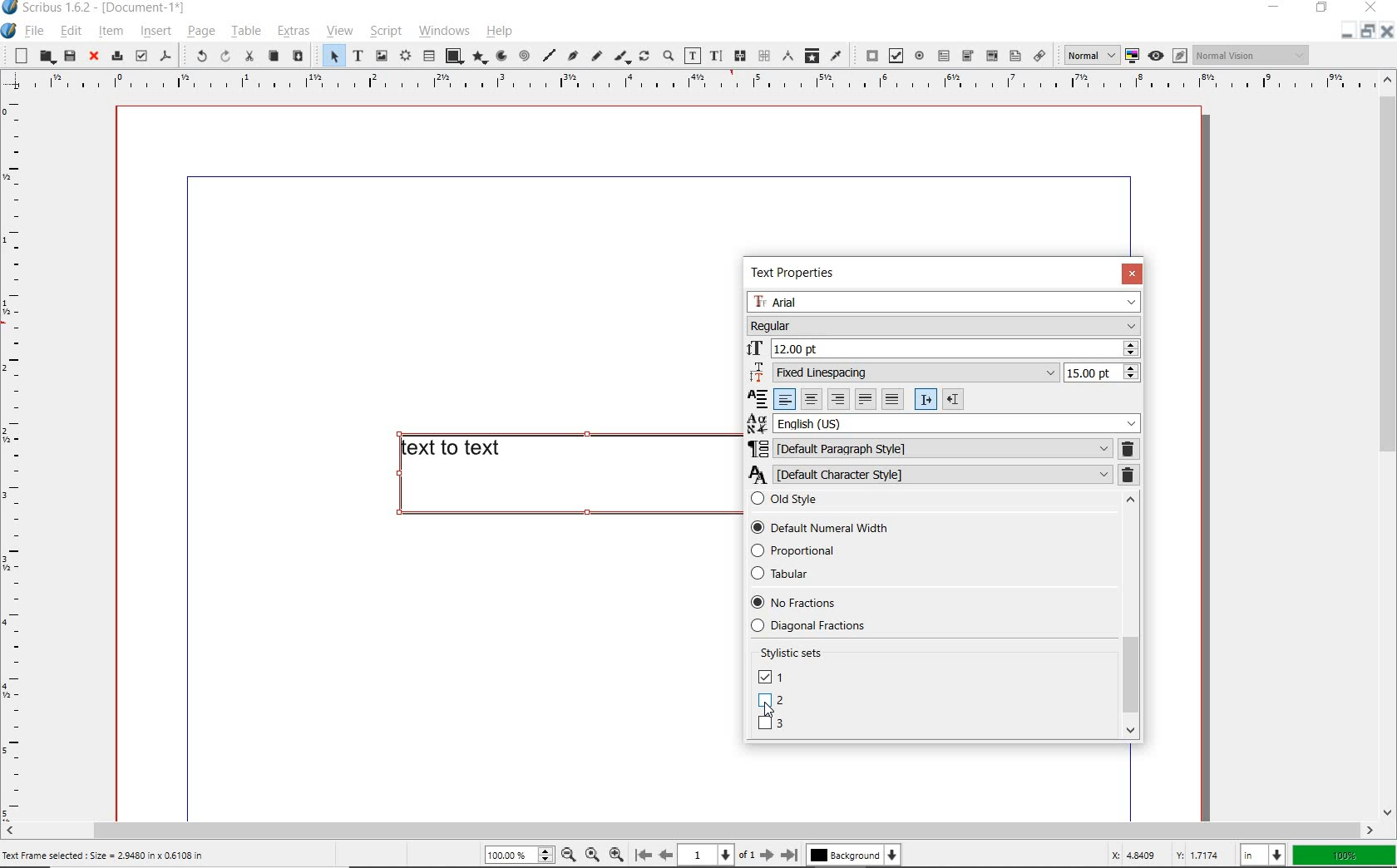  Describe the element at coordinates (1014, 57) in the screenshot. I see `Text annotation` at that location.